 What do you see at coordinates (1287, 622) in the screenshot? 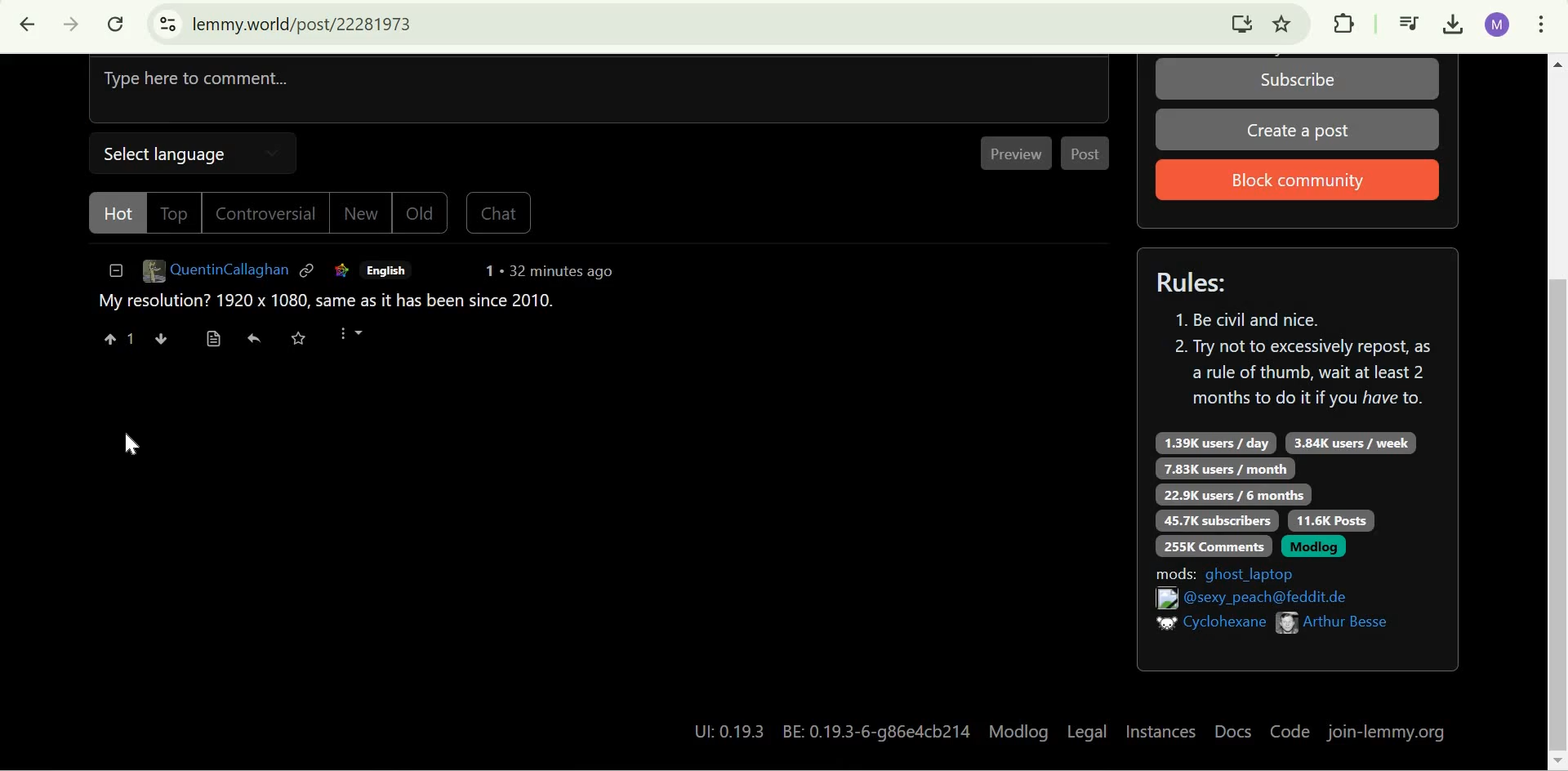
I see `` at bounding box center [1287, 622].